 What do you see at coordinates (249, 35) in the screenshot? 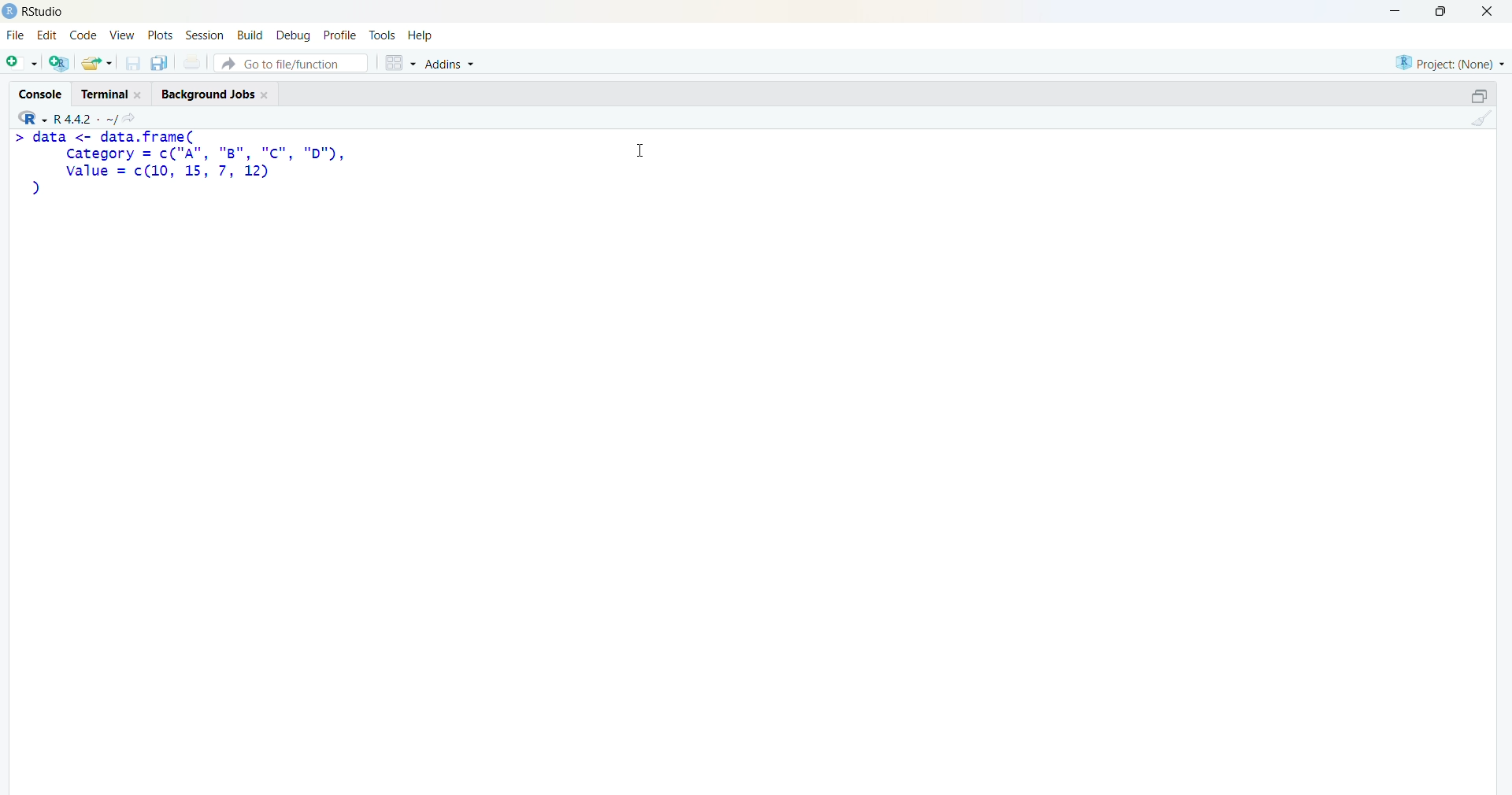
I see `build` at bounding box center [249, 35].